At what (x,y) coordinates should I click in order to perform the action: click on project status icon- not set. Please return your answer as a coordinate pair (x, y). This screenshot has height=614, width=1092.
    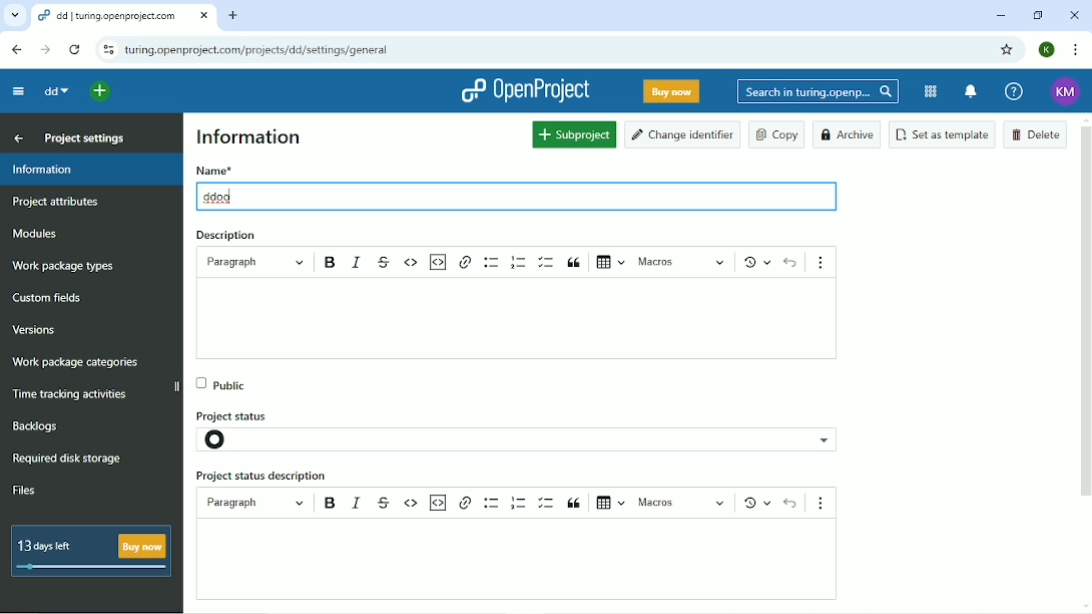
    Looking at the image, I should click on (231, 440).